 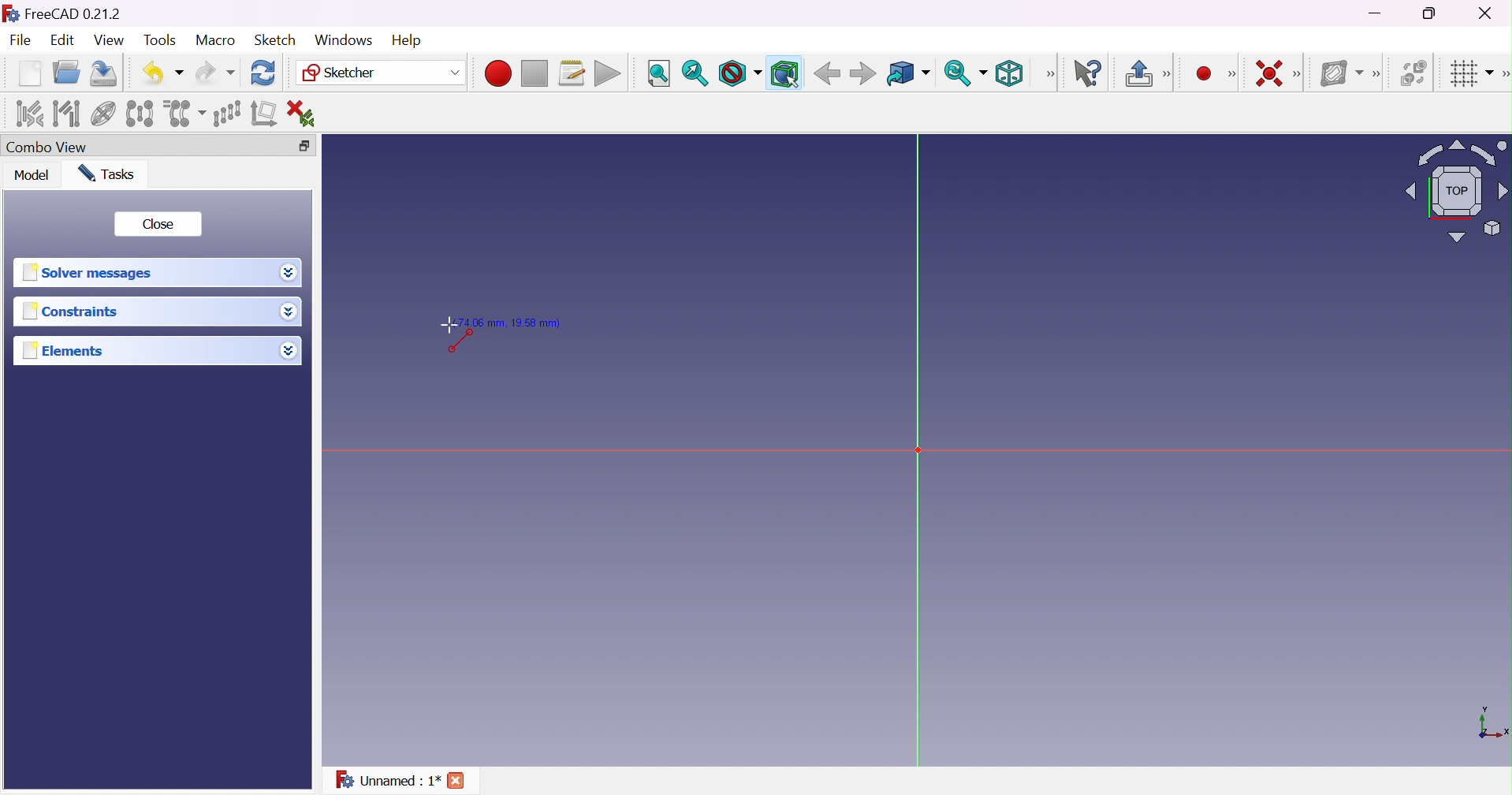 I want to click on Fit selection, so click(x=695, y=73).